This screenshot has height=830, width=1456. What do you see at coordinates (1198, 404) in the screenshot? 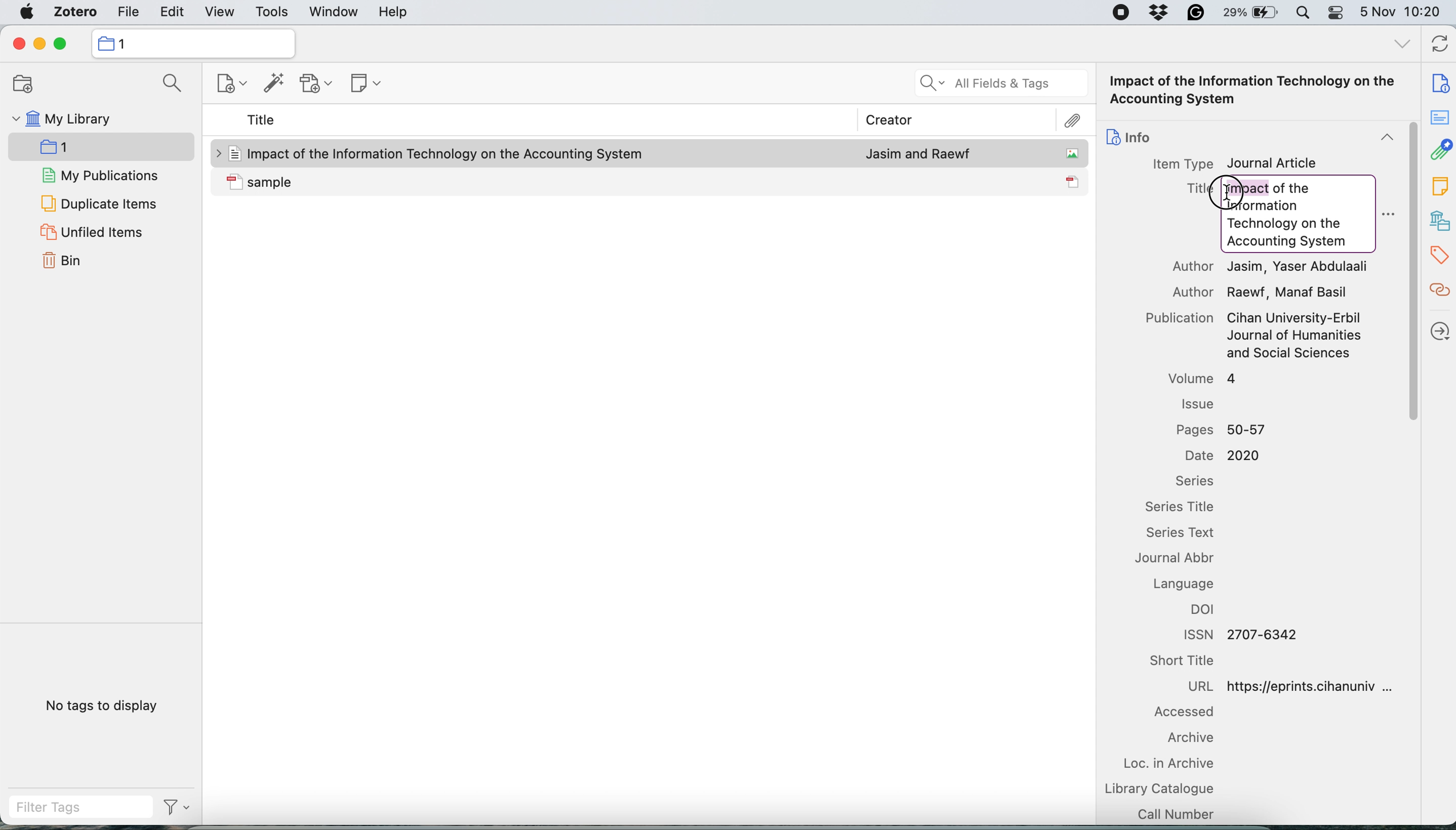
I see `issue` at bounding box center [1198, 404].